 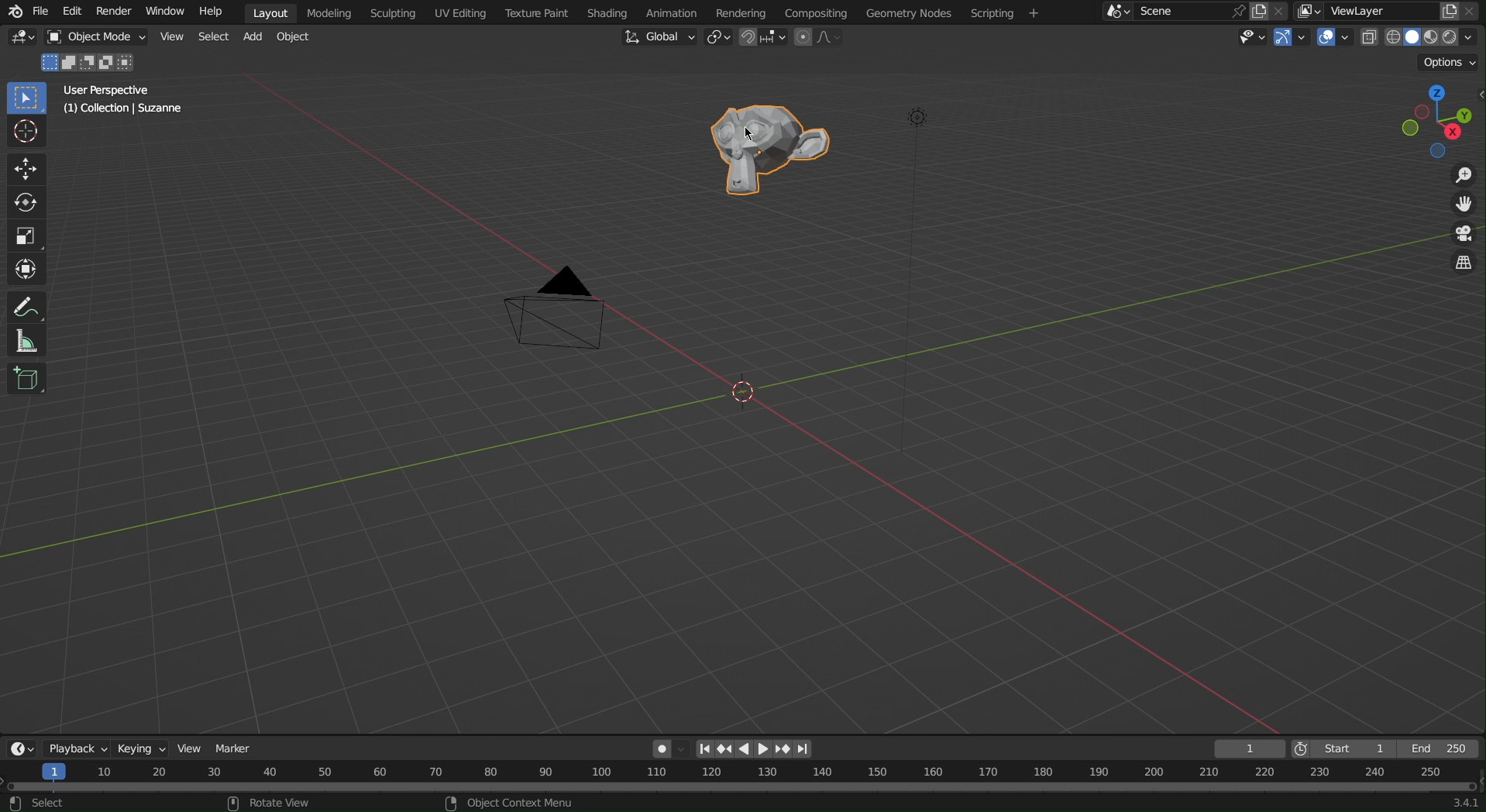 I want to click on previous, so click(x=731, y=748).